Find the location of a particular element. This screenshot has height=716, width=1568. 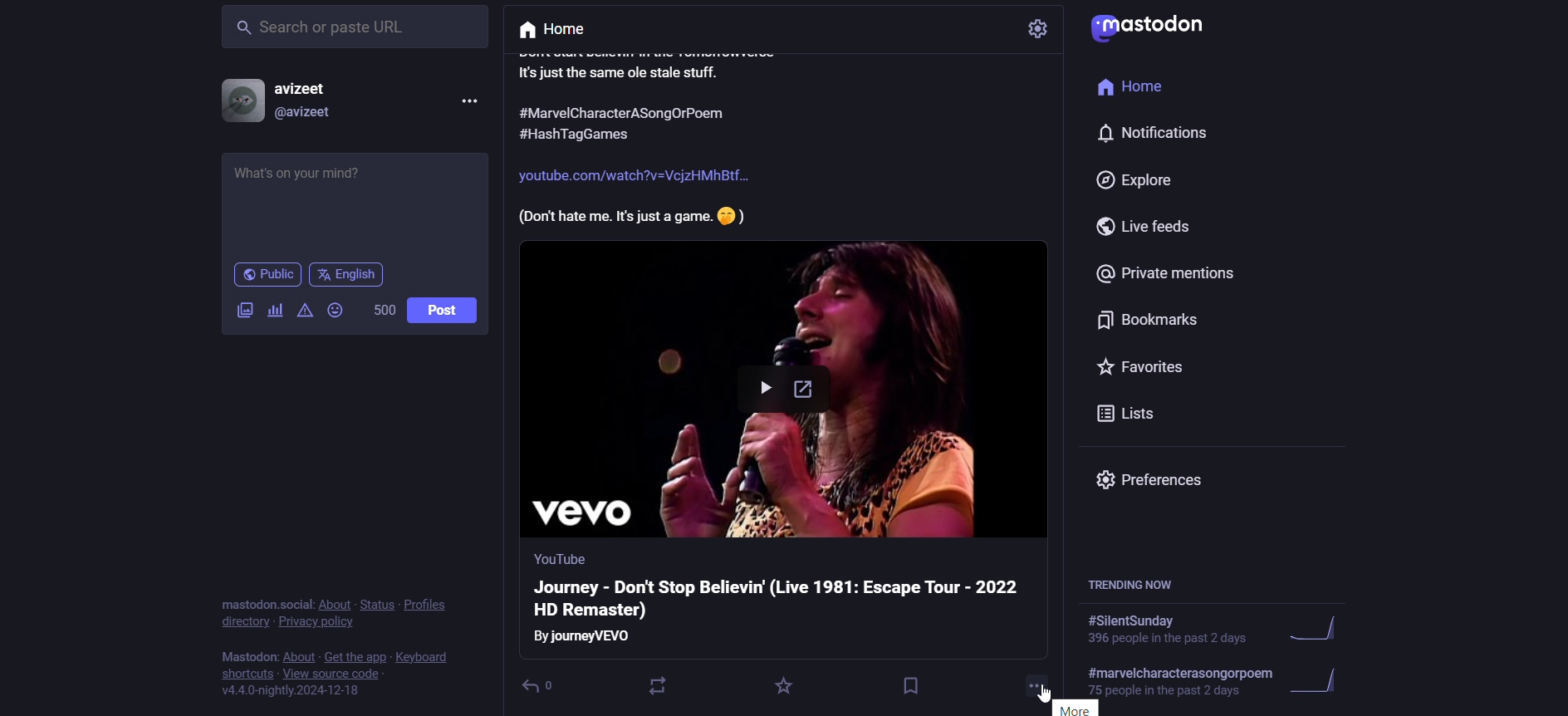

live feeds is located at coordinates (1154, 228).